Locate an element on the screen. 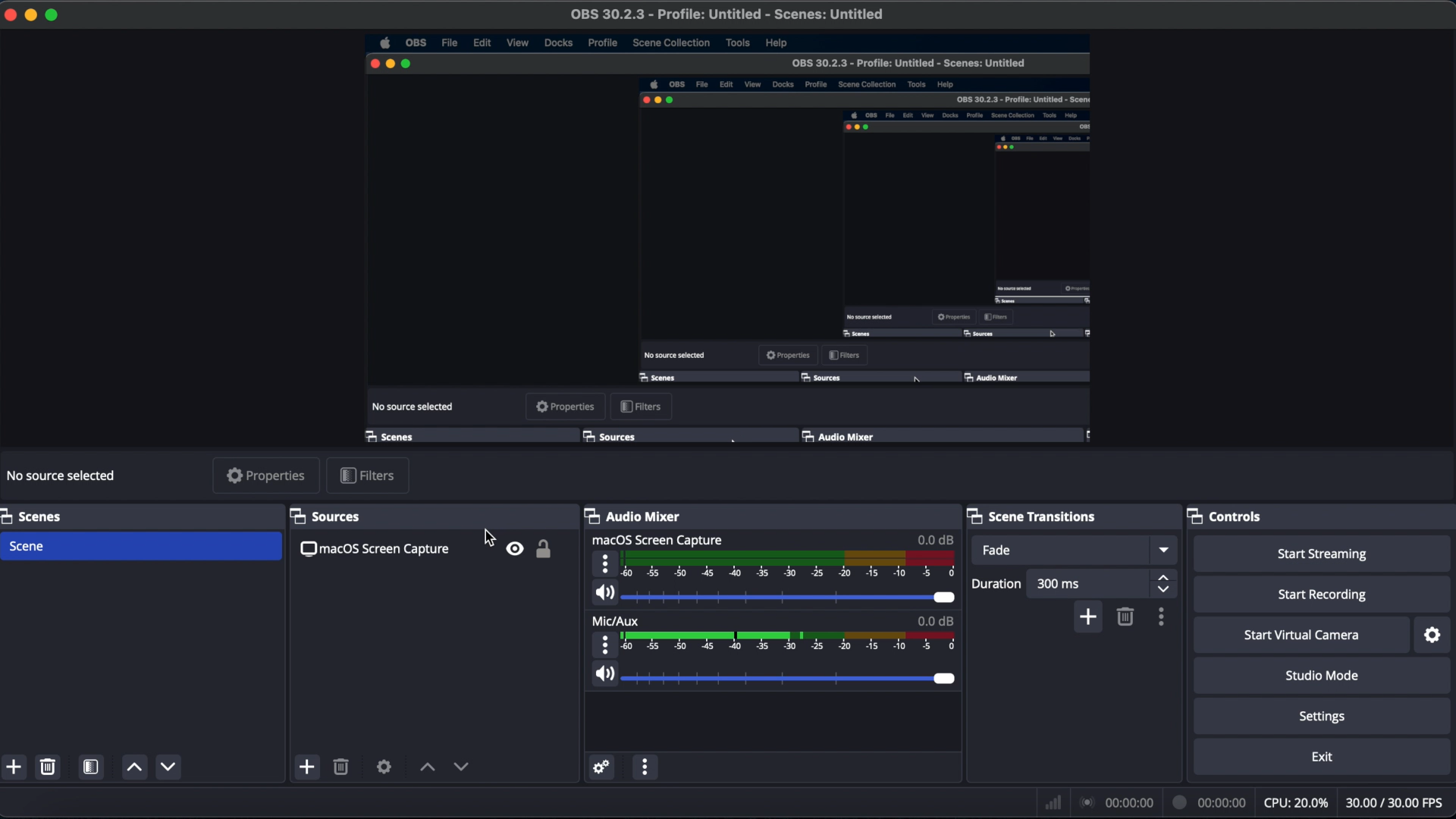  properties is located at coordinates (264, 475).